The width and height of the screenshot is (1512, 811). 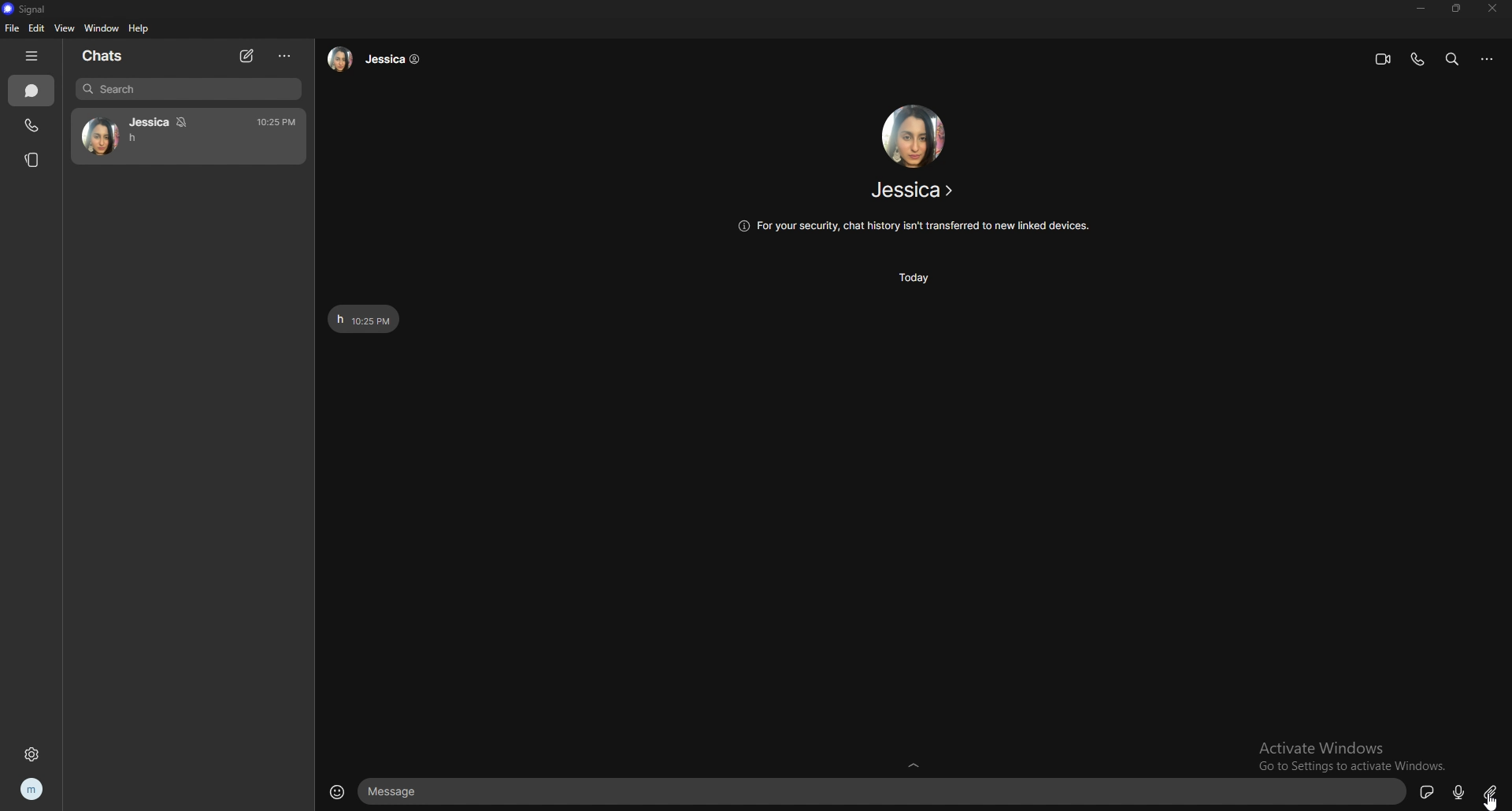 I want to click on options, so click(x=286, y=57).